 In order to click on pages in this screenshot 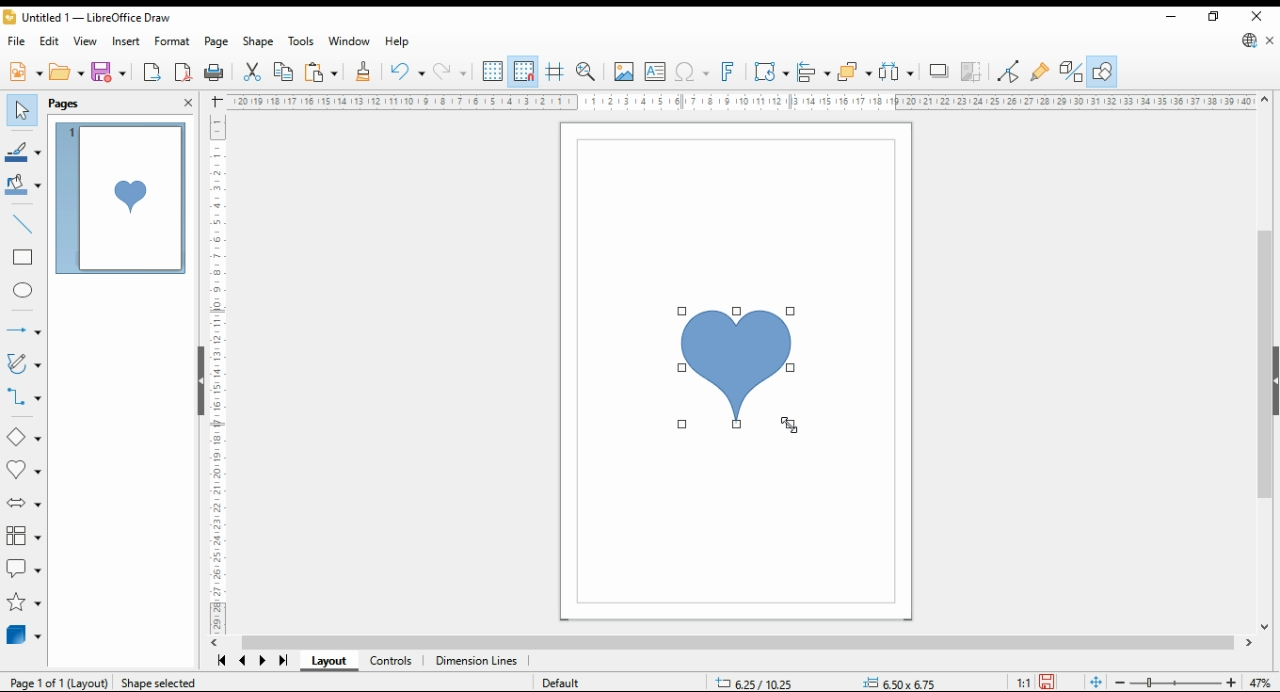, I will do `click(80, 103)`.